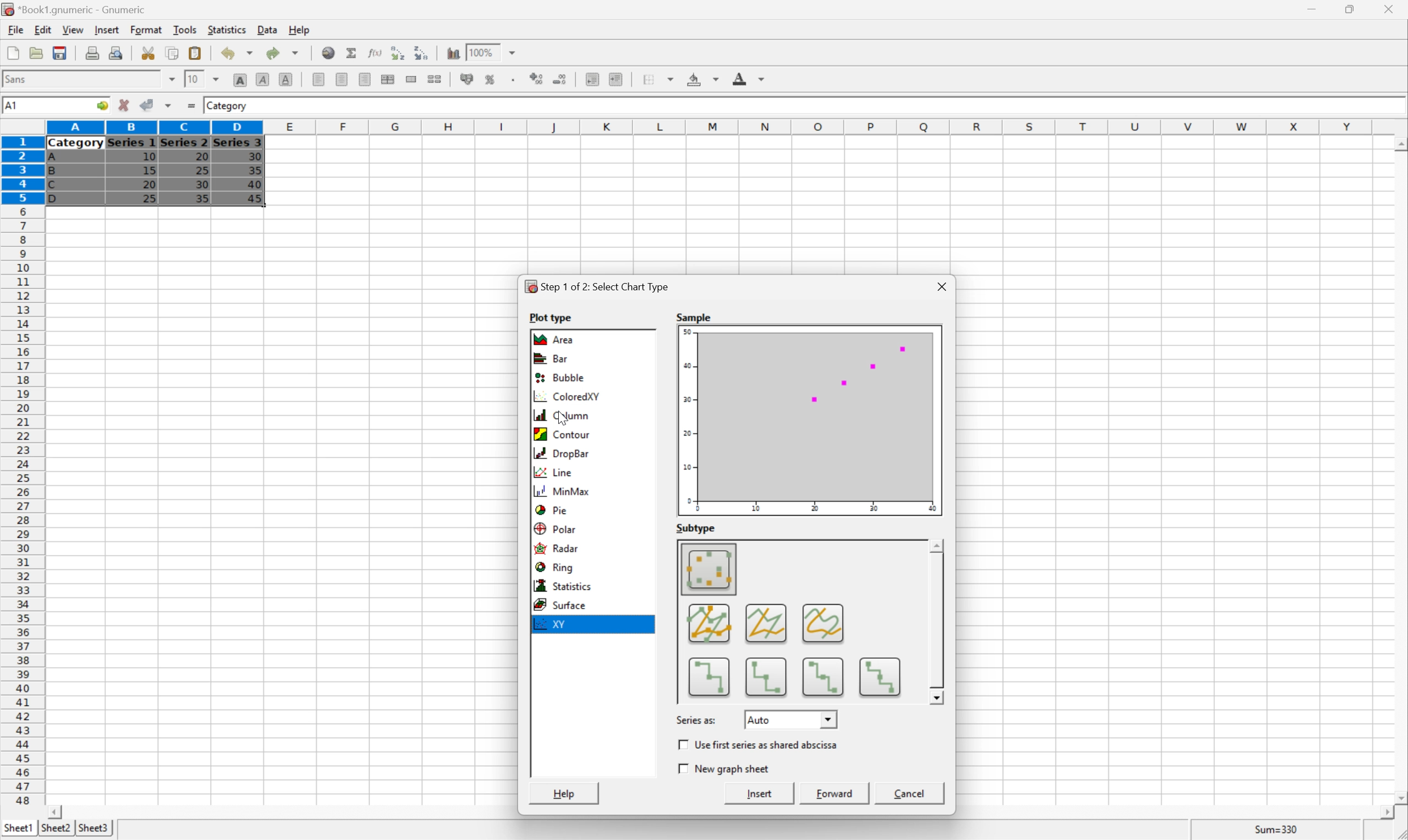  Describe the element at coordinates (255, 182) in the screenshot. I see `40` at that location.